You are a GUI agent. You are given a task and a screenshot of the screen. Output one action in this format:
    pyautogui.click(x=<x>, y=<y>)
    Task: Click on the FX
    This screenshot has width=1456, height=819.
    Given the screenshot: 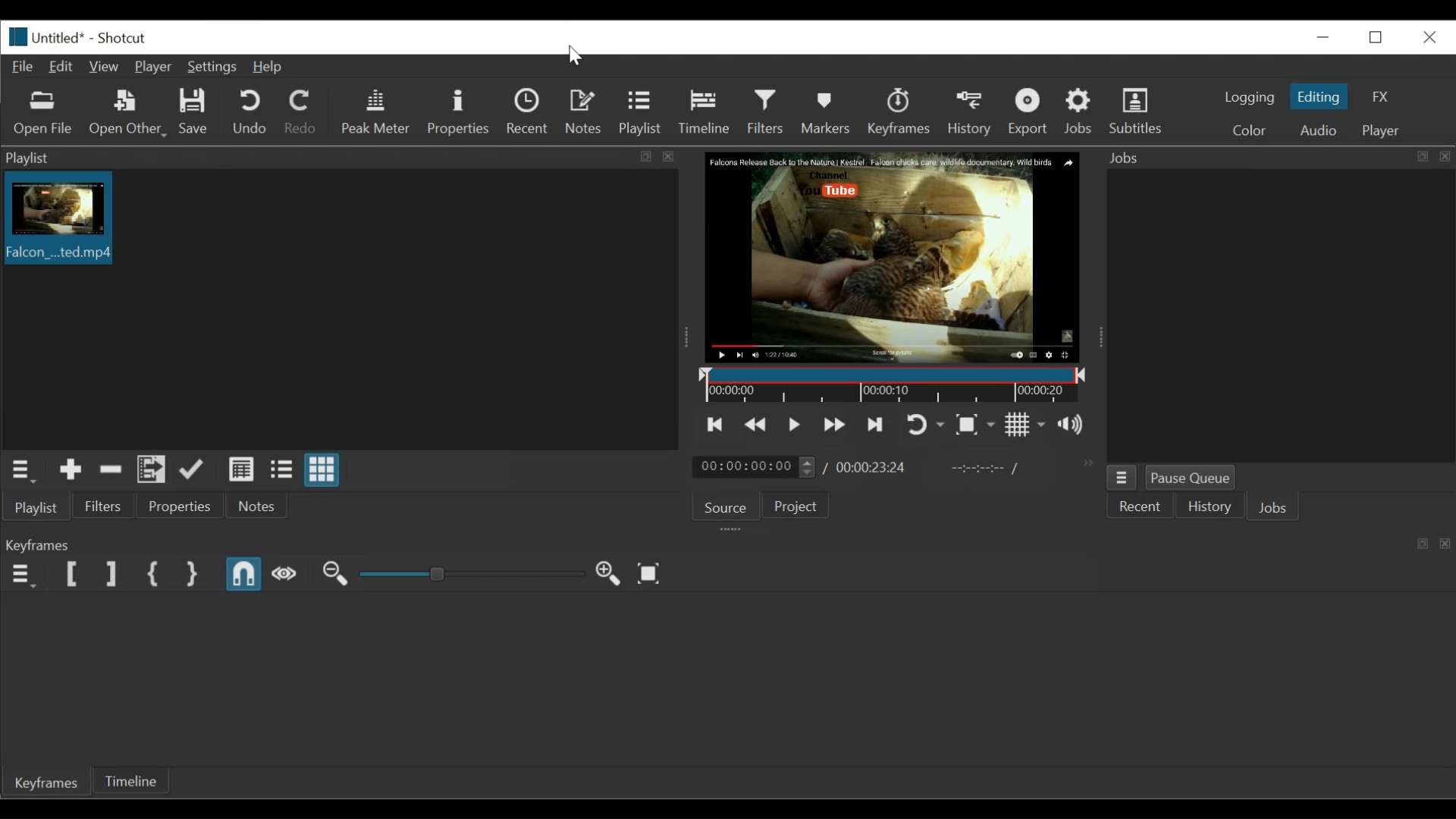 What is the action you would take?
    pyautogui.click(x=1379, y=96)
    